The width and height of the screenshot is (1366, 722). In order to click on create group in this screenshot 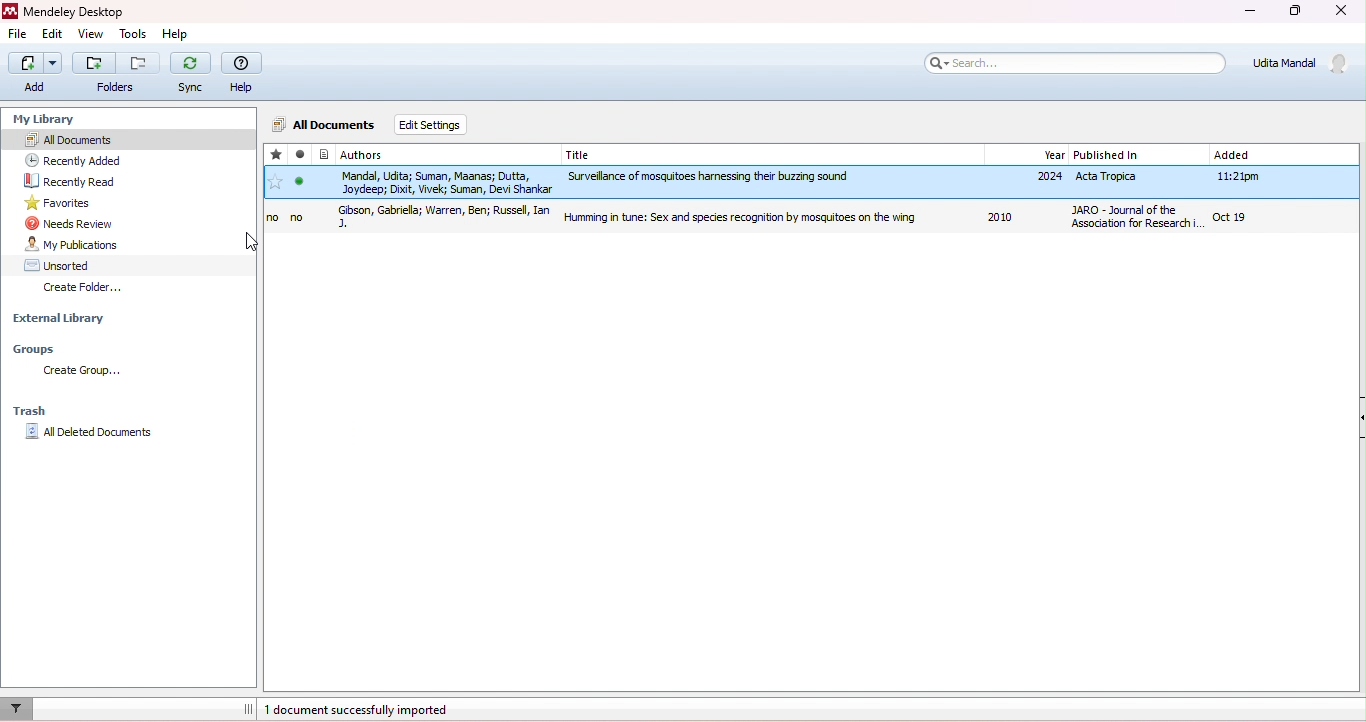, I will do `click(86, 372)`.